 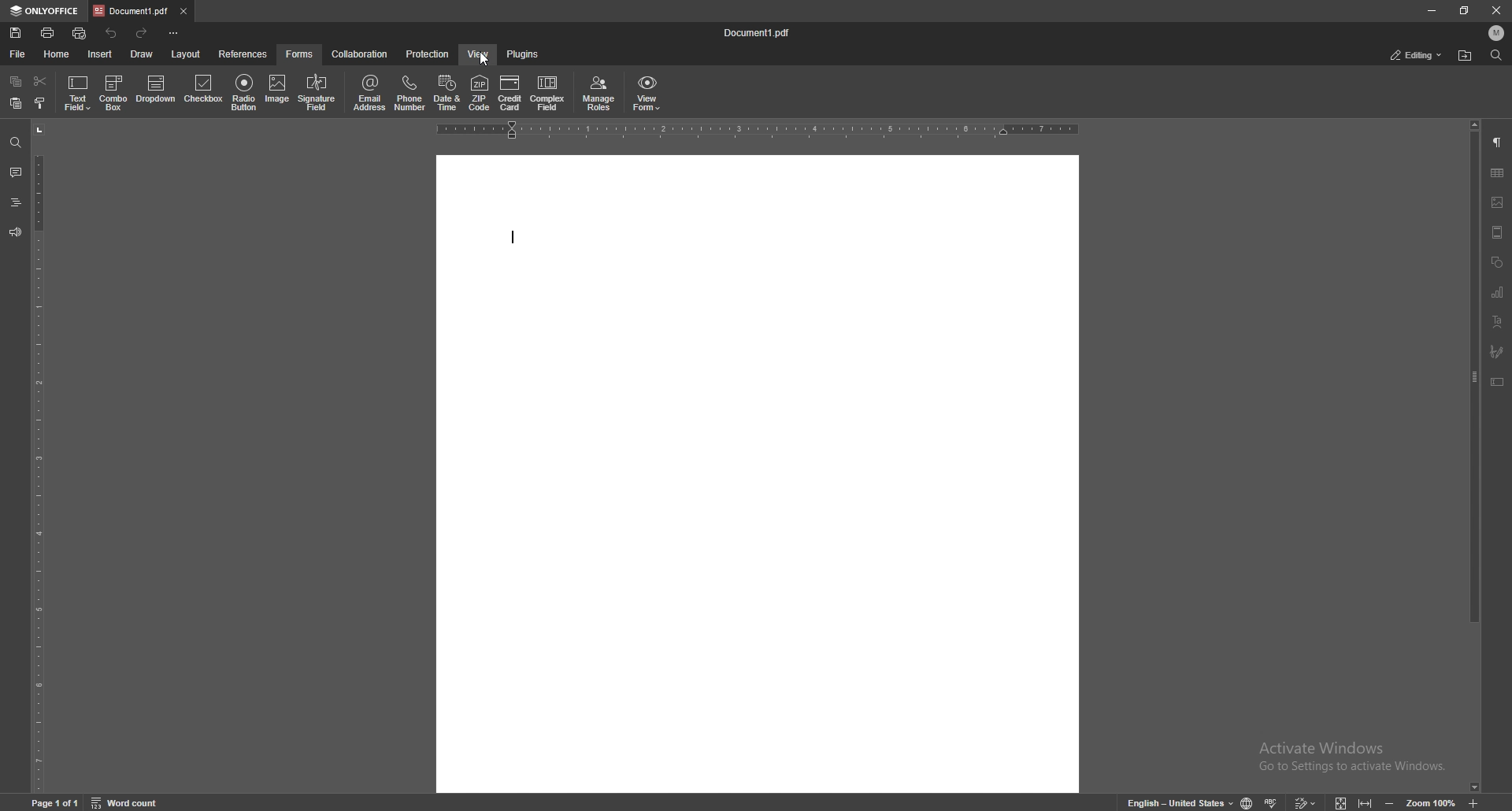 What do you see at coordinates (16, 202) in the screenshot?
I see `heading` at bounding box center [16, 202].